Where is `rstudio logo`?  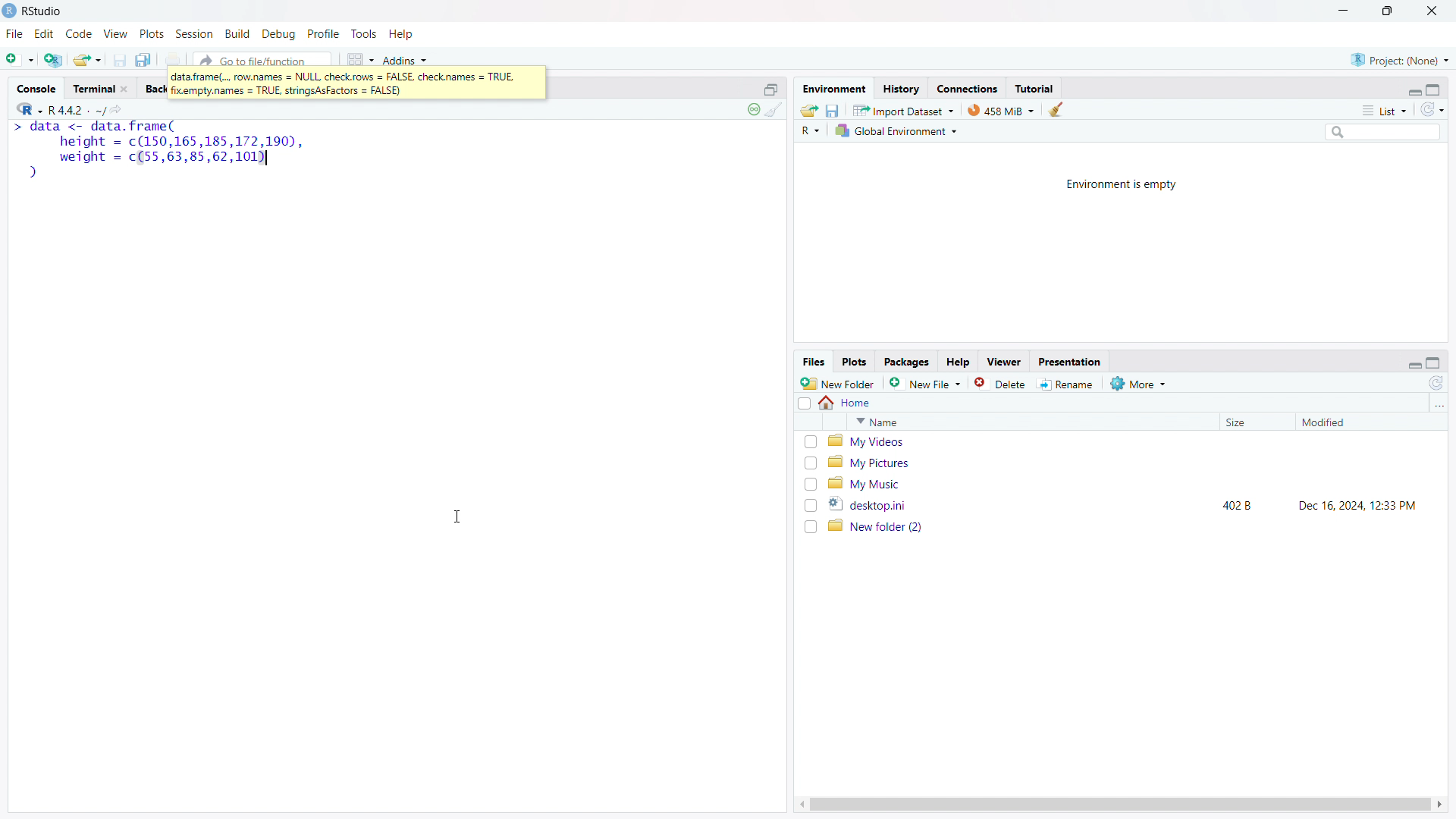
rstudio logo is located at coordinates (9, 11).